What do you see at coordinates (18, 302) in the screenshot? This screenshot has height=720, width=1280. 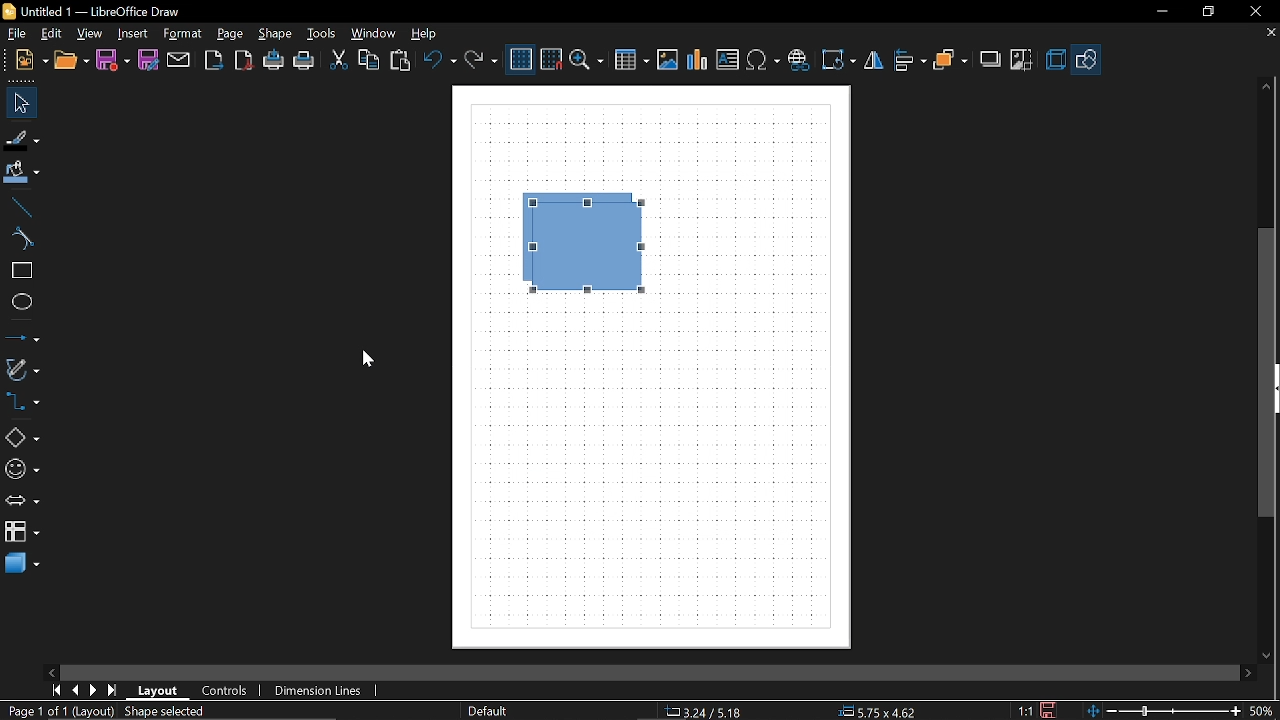 I see `Ellipse` at bounding box center [18, 302].